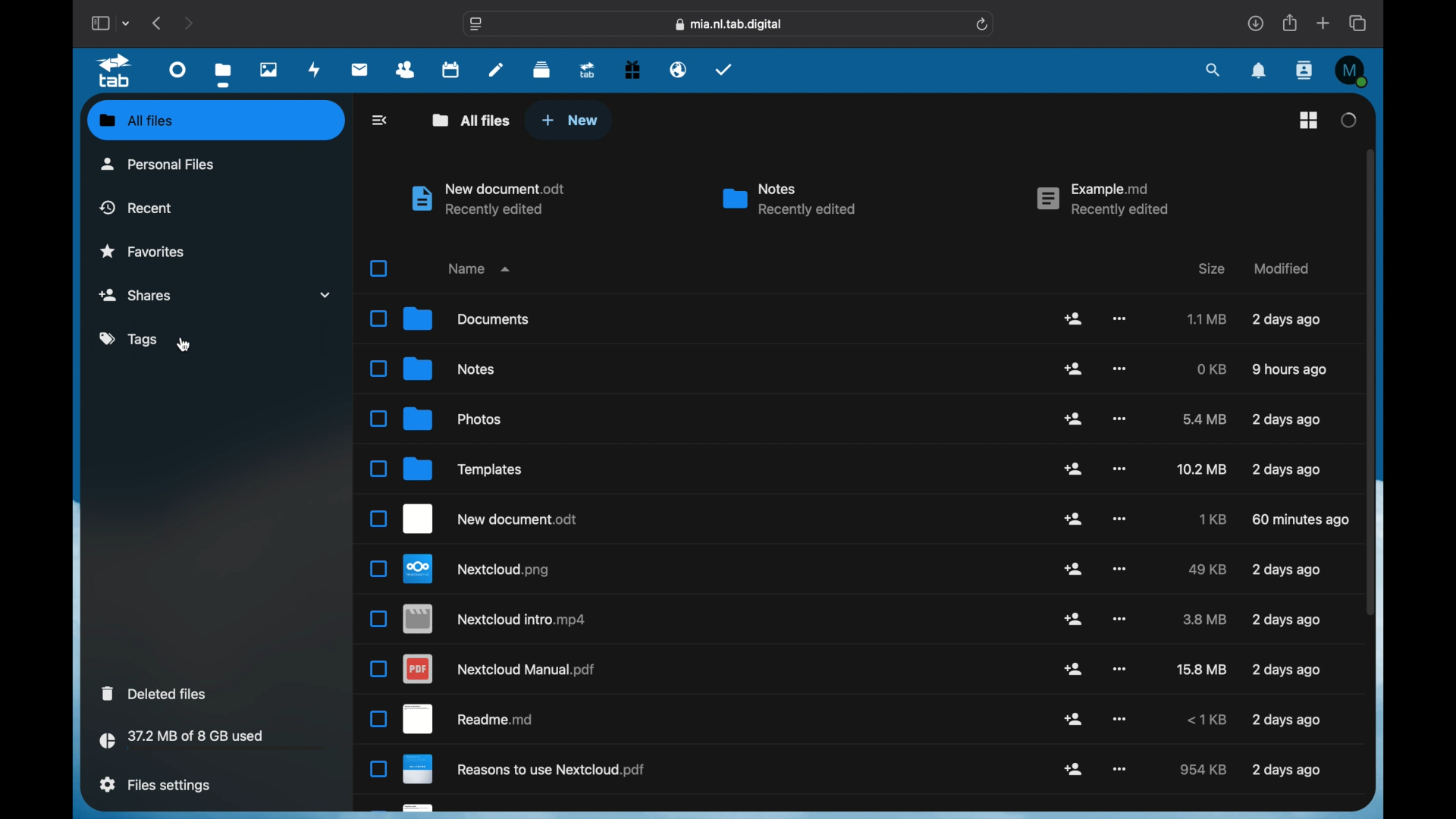 The width and height of the screenshot is (1456, 819). Describe the element at coordinates (215, 742) in the screenshot. I see `storage` at that location.